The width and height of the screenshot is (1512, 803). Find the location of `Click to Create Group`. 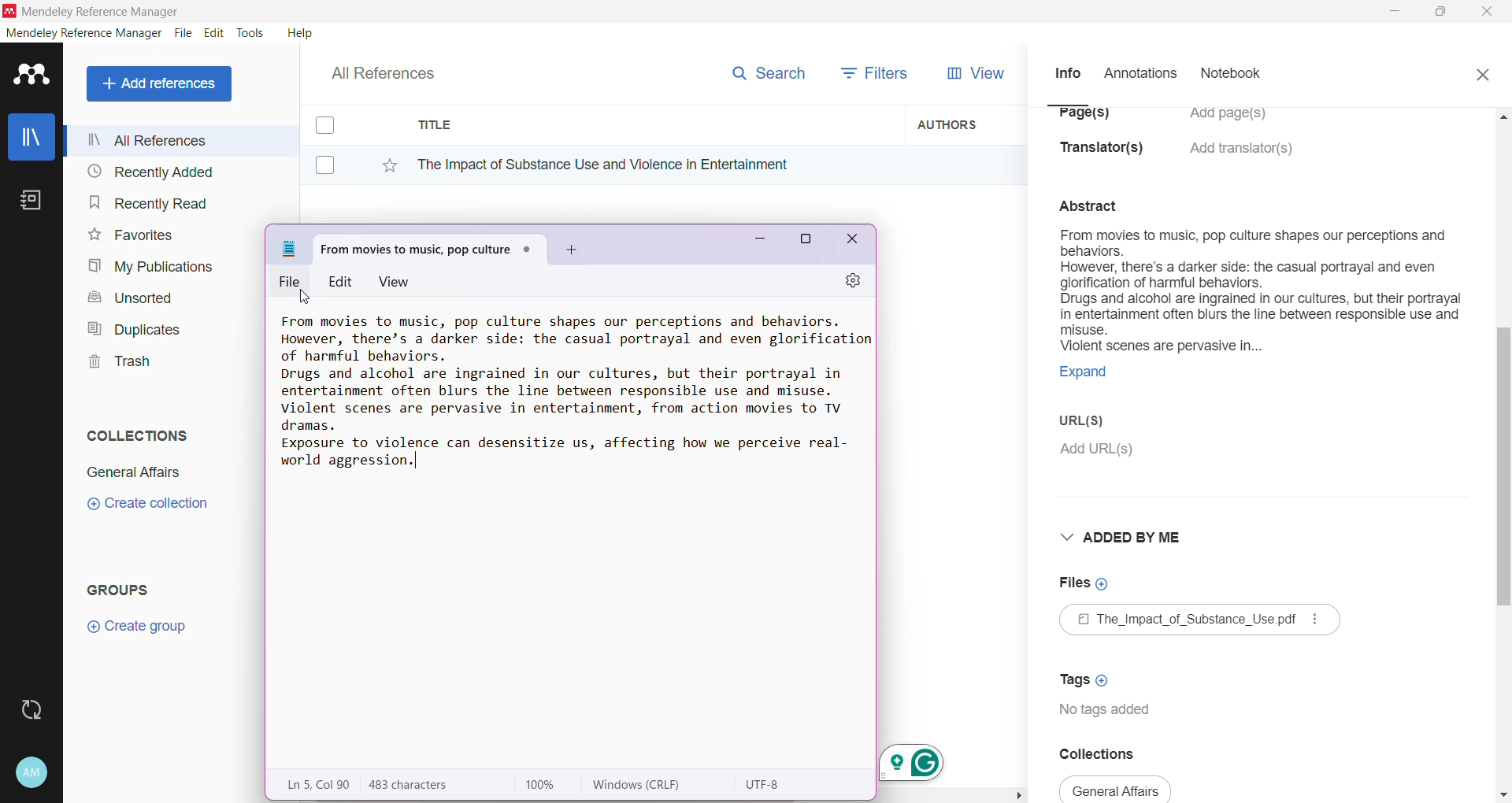

Click to Create Group is located at coordinates (140, 632).